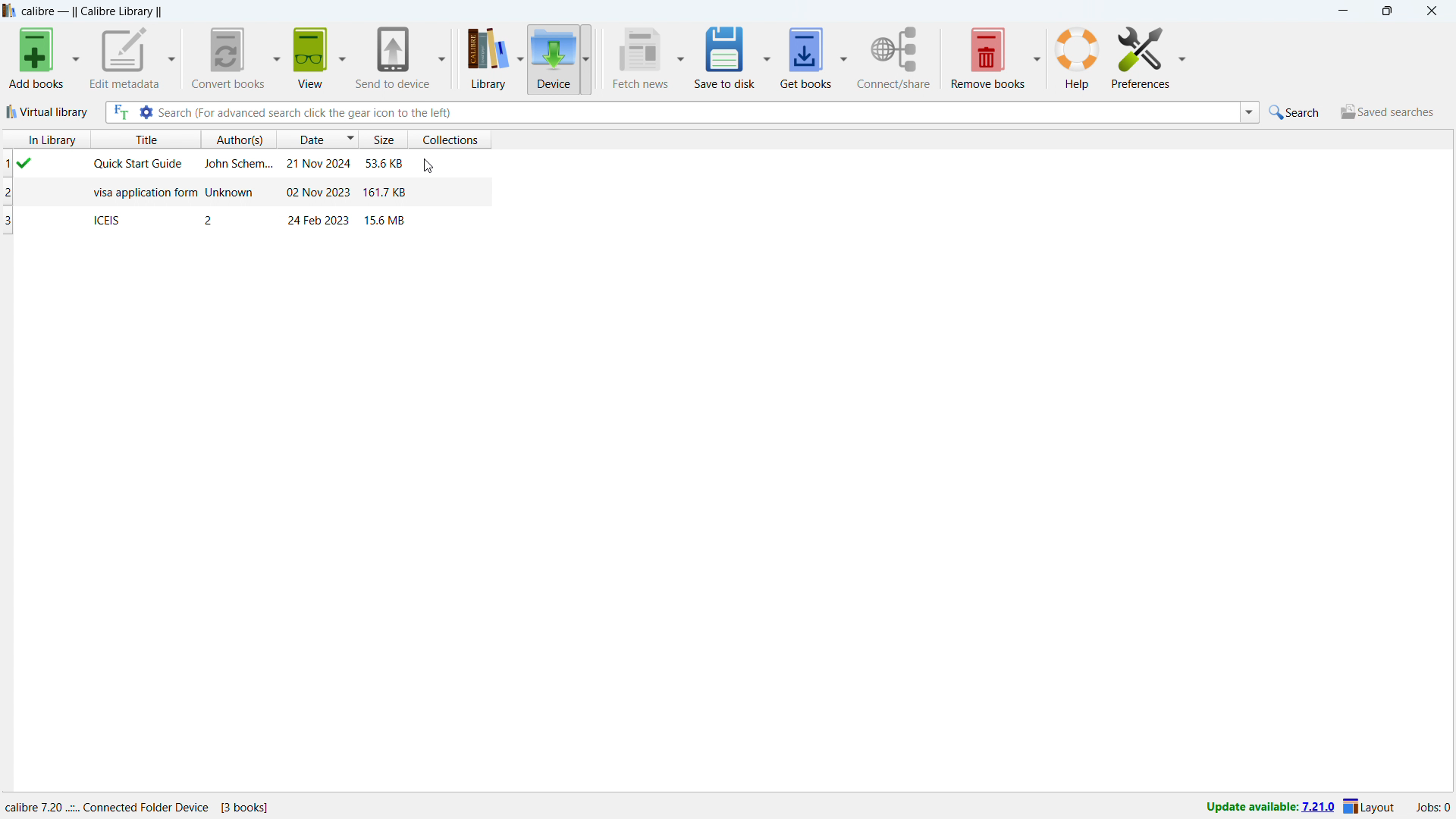 Image resolution: width=1456 pixels, height=819 pixels. Describe the element at coordinates (289, 193) in the screenshot. I see `book on device` at that location.